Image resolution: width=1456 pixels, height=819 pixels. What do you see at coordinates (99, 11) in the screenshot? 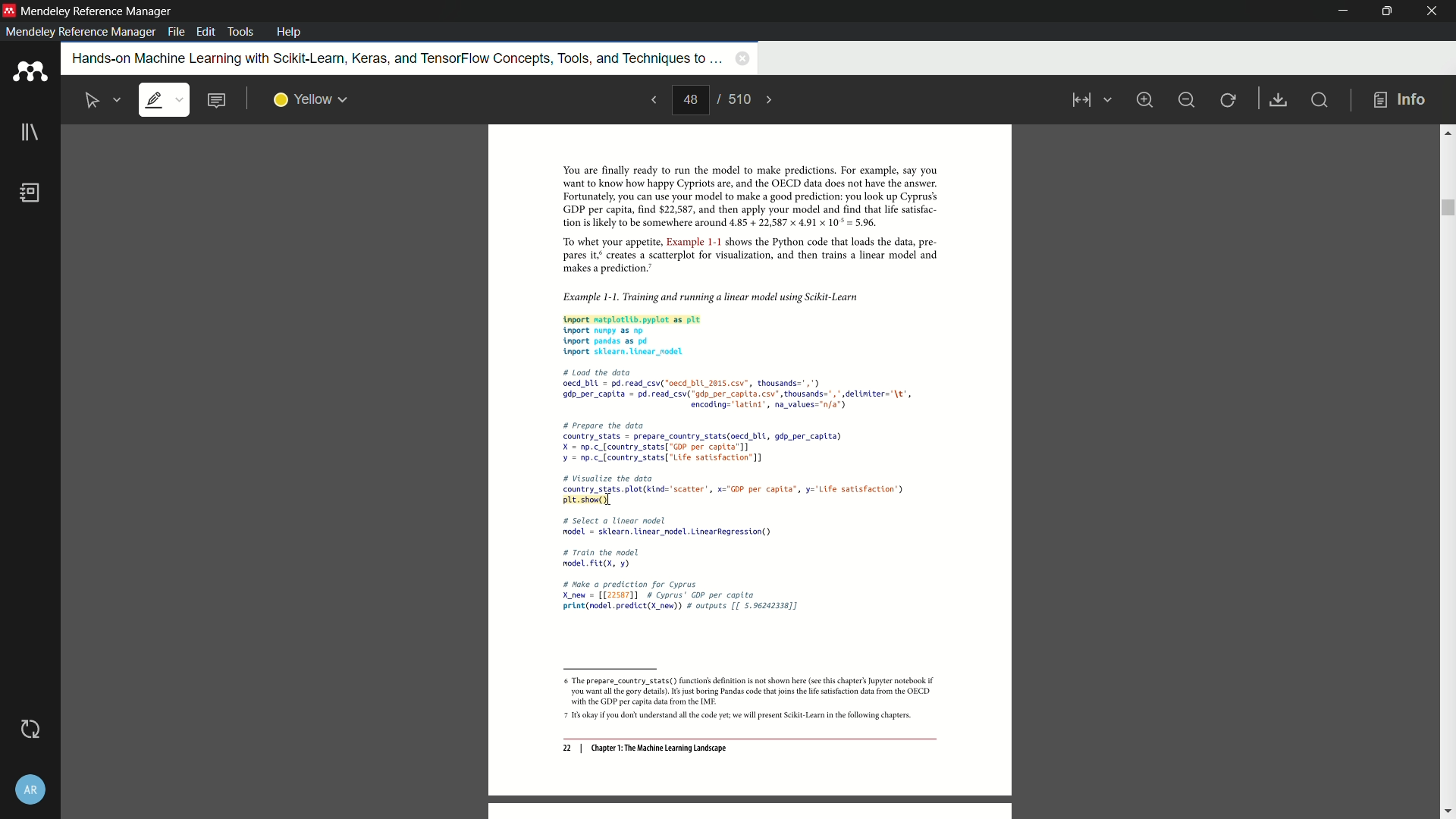
I see `app name` at bounding box center [99, 11].